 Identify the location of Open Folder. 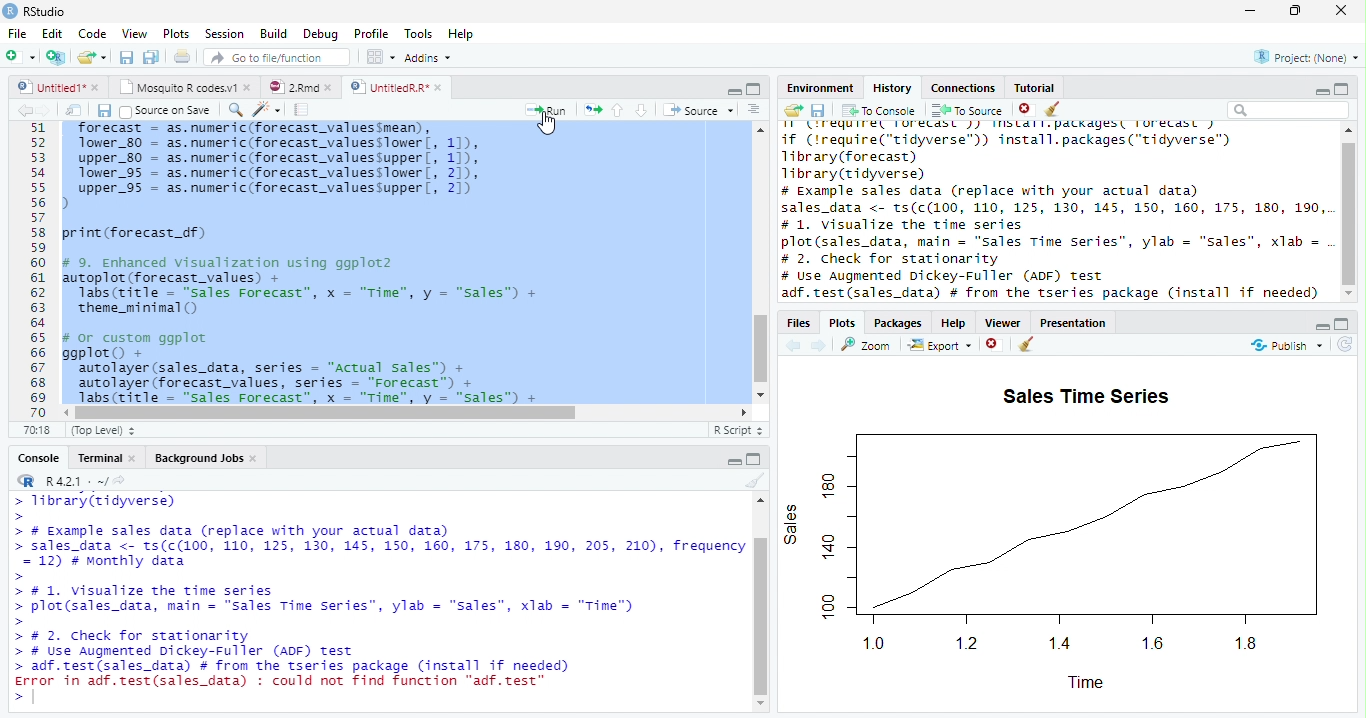
(93, 55).